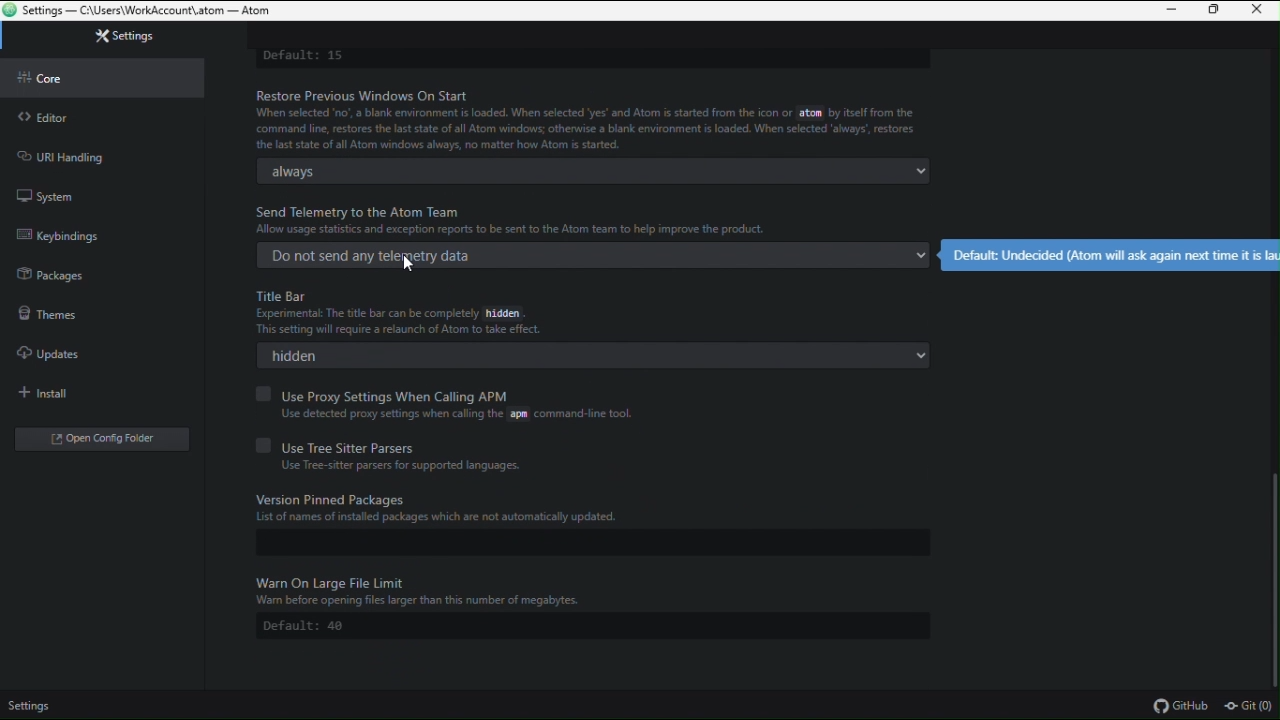 Image resolution: width=1280 pixels, height=720 pixels. I want to click on system, so click(110, 196).